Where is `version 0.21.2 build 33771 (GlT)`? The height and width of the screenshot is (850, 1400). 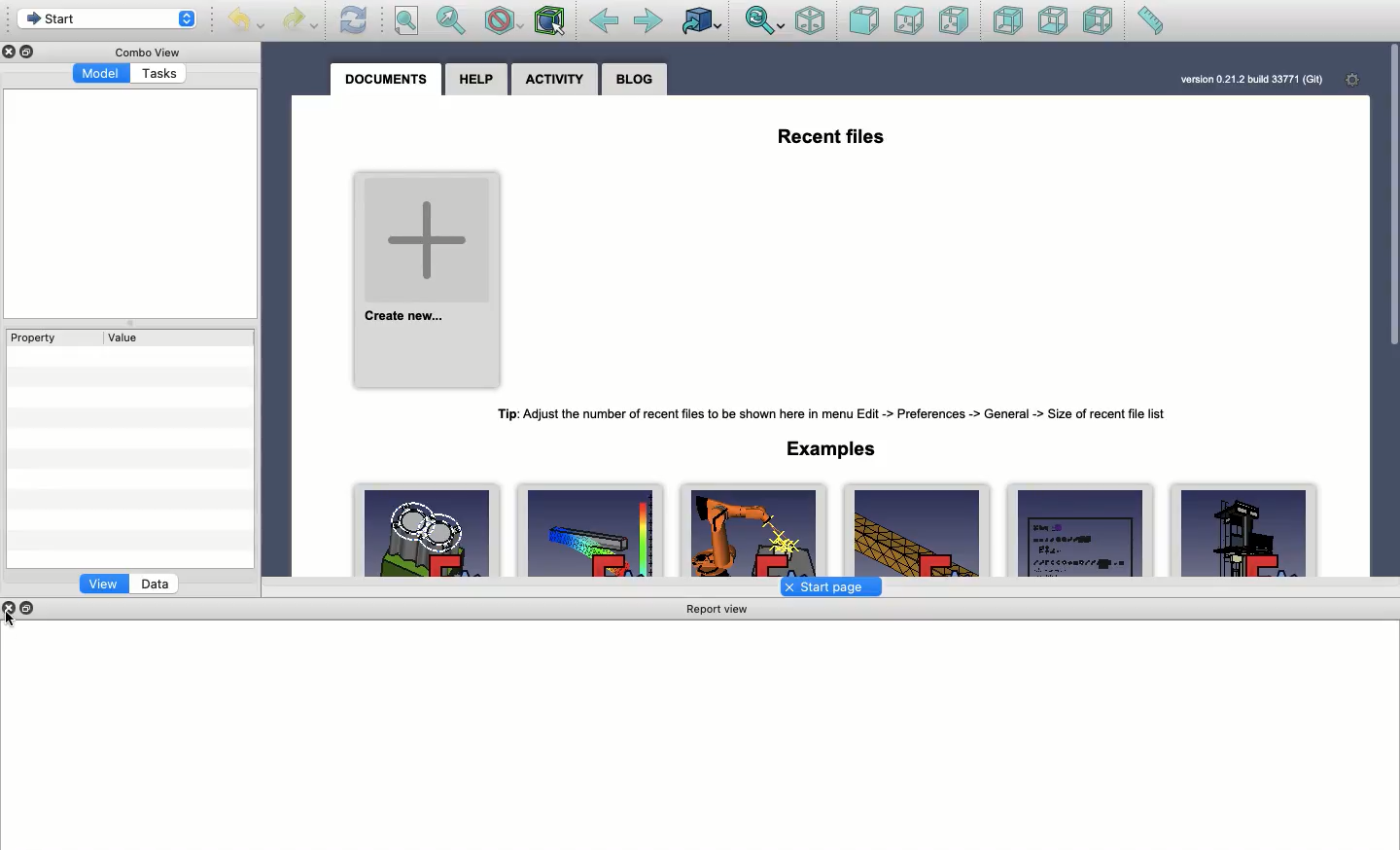
version 0.21.2 build 33771 (GlT) is located at coordinates (1251, 81).